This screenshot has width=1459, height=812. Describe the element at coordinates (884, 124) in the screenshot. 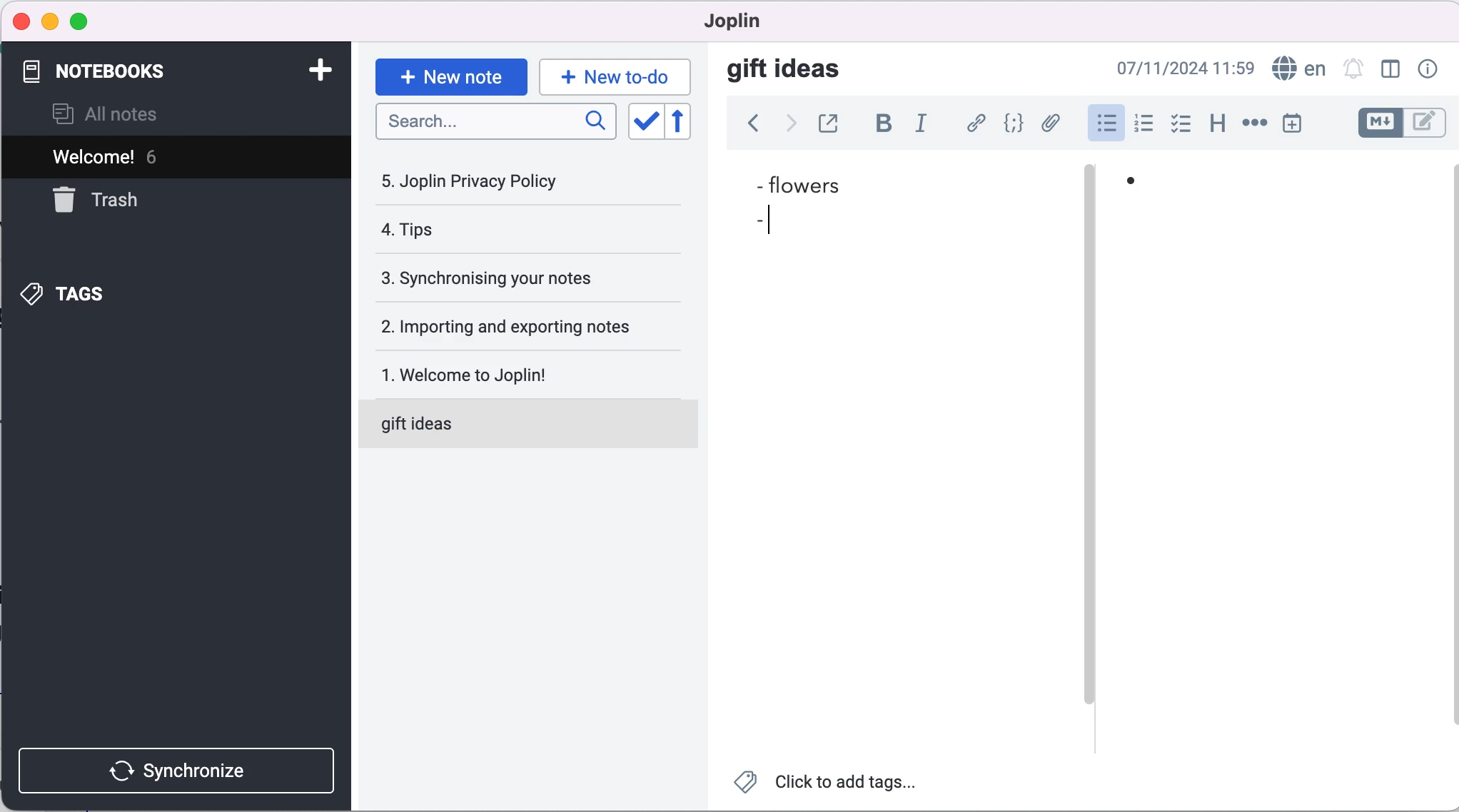

I see `bold` at that location.